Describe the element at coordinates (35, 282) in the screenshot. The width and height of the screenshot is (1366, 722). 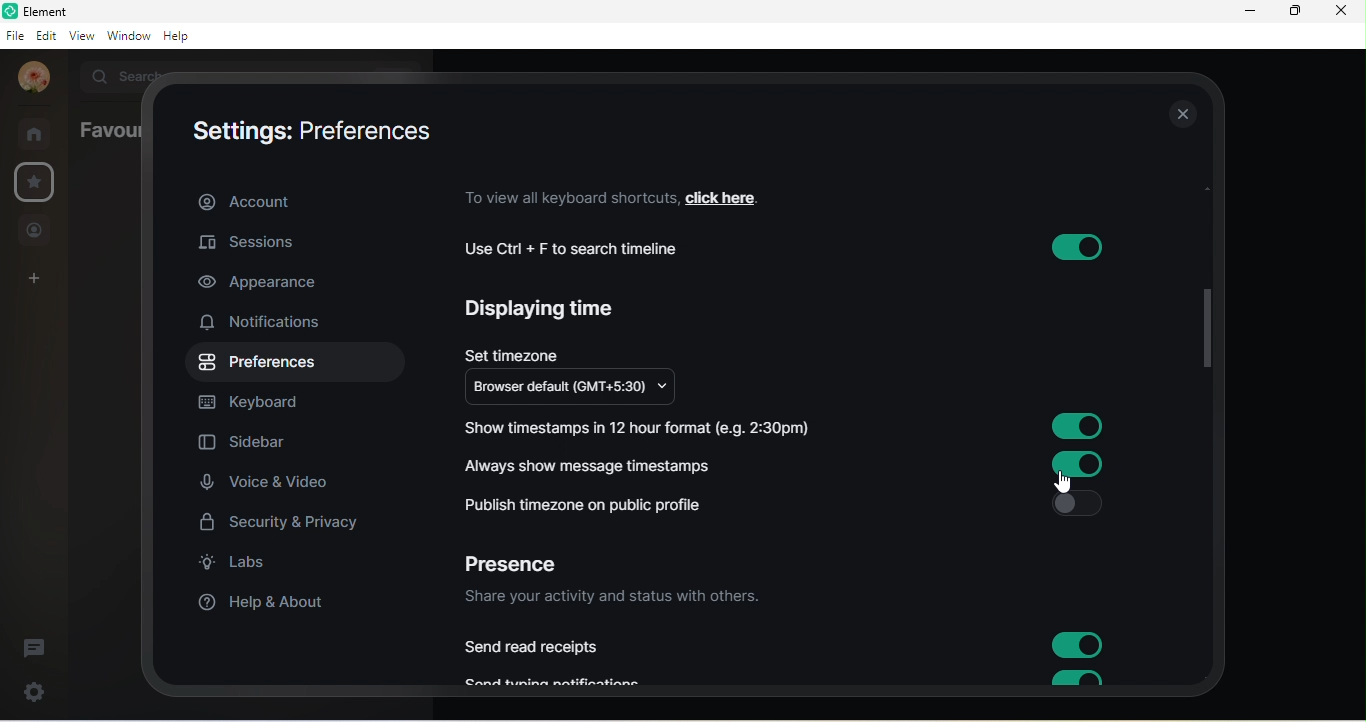
I see `add space` at that location.